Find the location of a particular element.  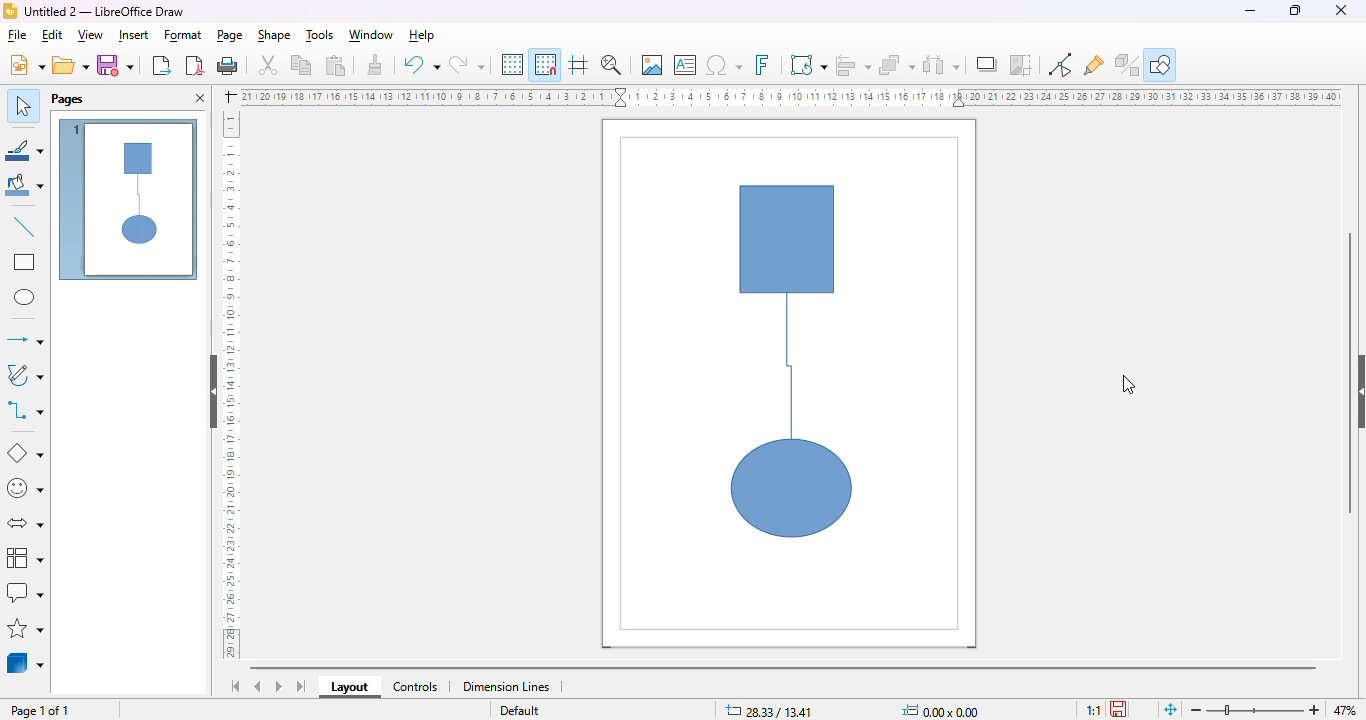

two shapes connected using the connector tool is located at coordinates (791, 360).